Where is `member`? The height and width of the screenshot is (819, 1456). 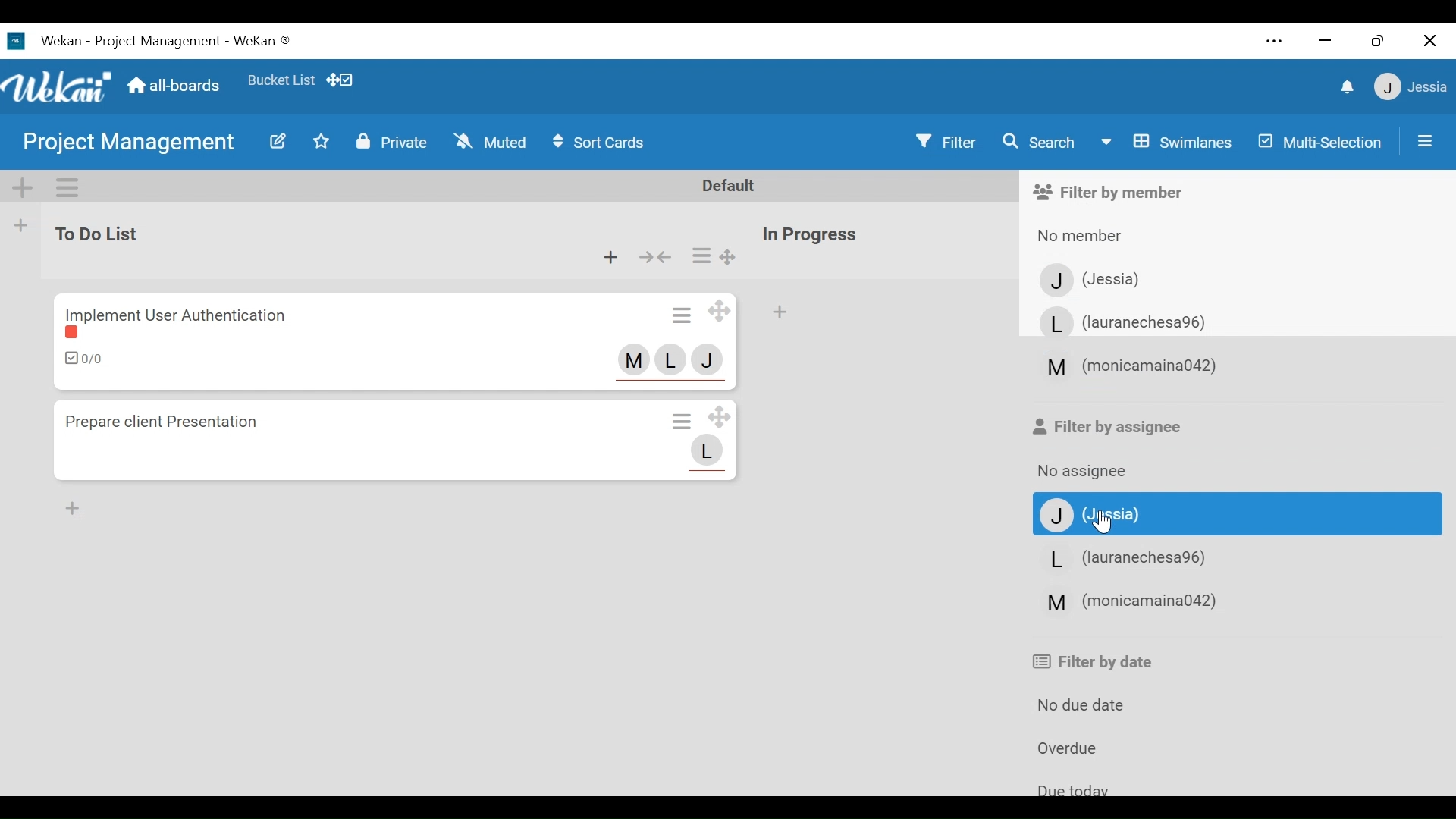
member is located at coordinates (1128, 366).